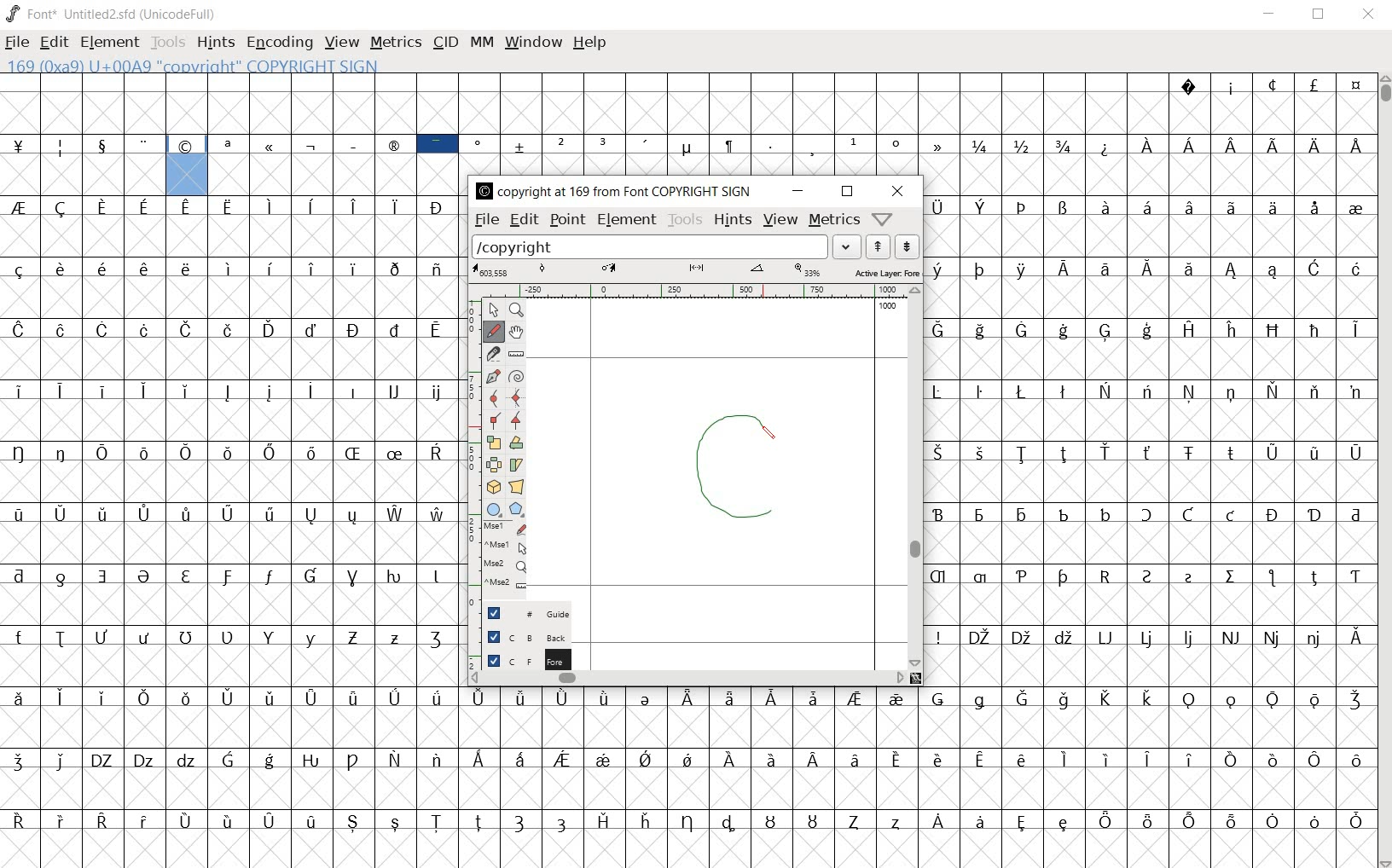 Image resolution: width=1392 pixels, height=868 pixels. Describe the element at coordinates (519, 660) in the screenshot. I see `foreground layer` at that location.